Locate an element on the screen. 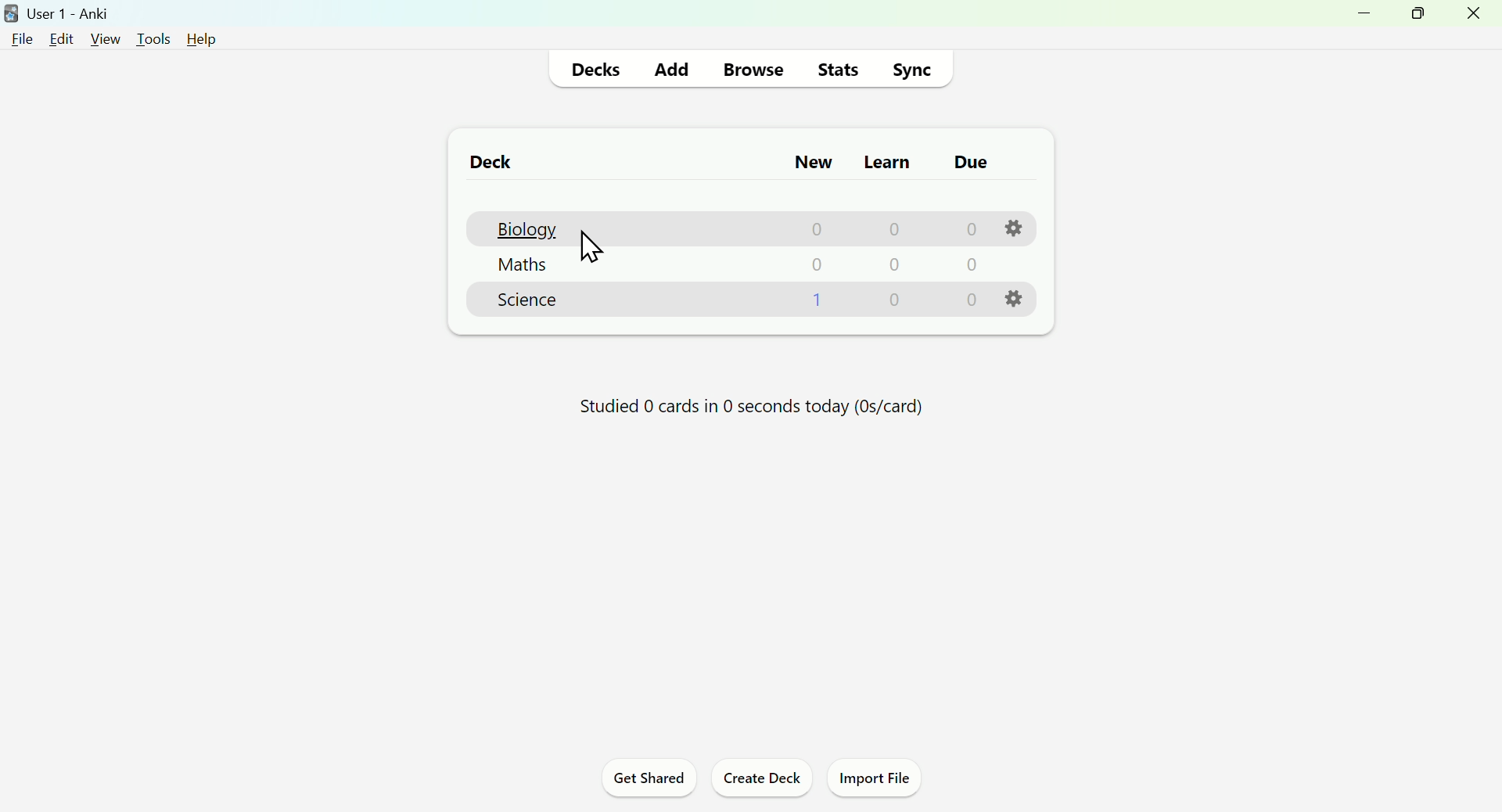 This screenshot has height=812, width=1502. New is located at coordinates (814, 163).